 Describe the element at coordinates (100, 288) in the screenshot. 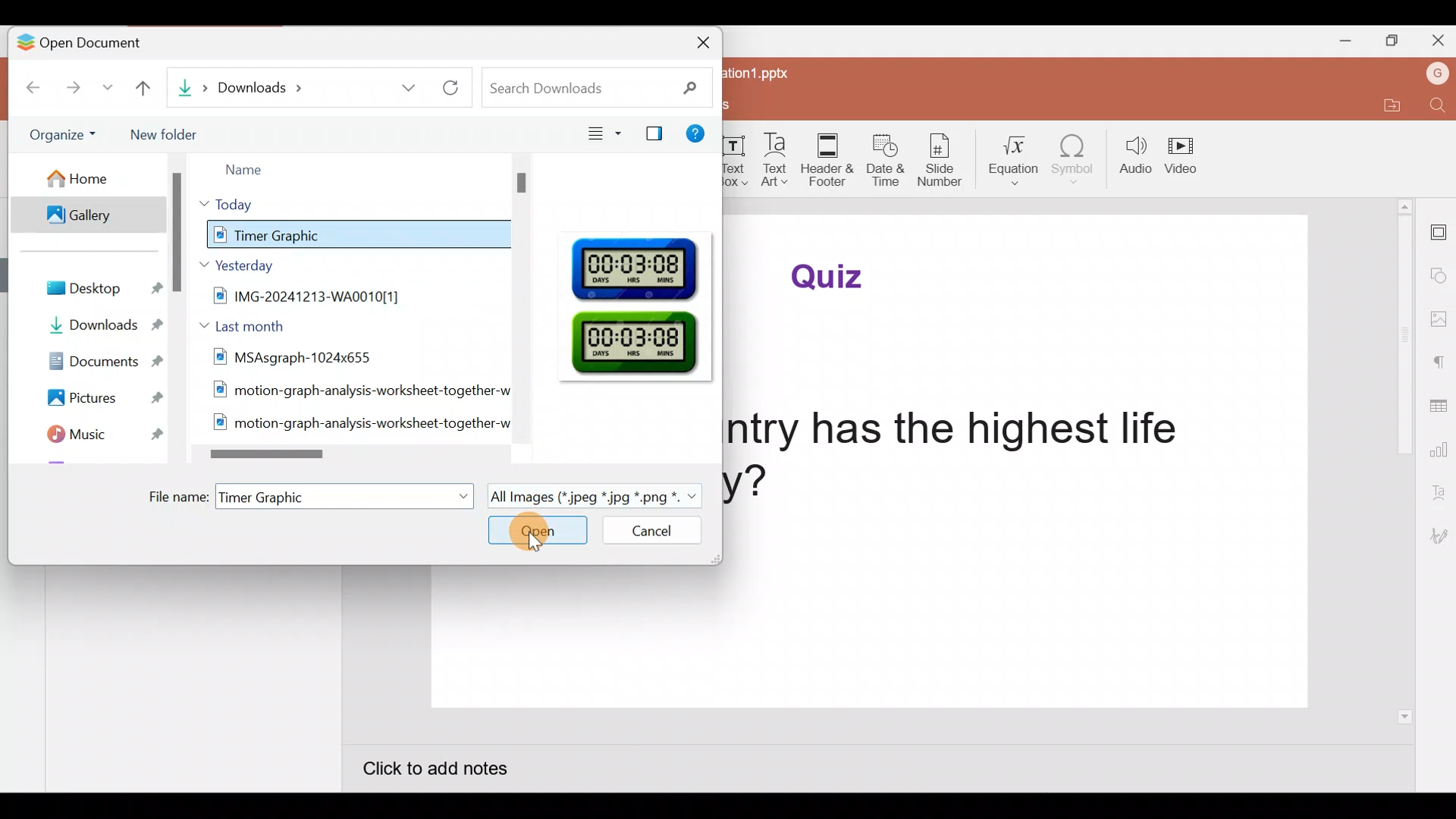

I see `Desktop` at that location.